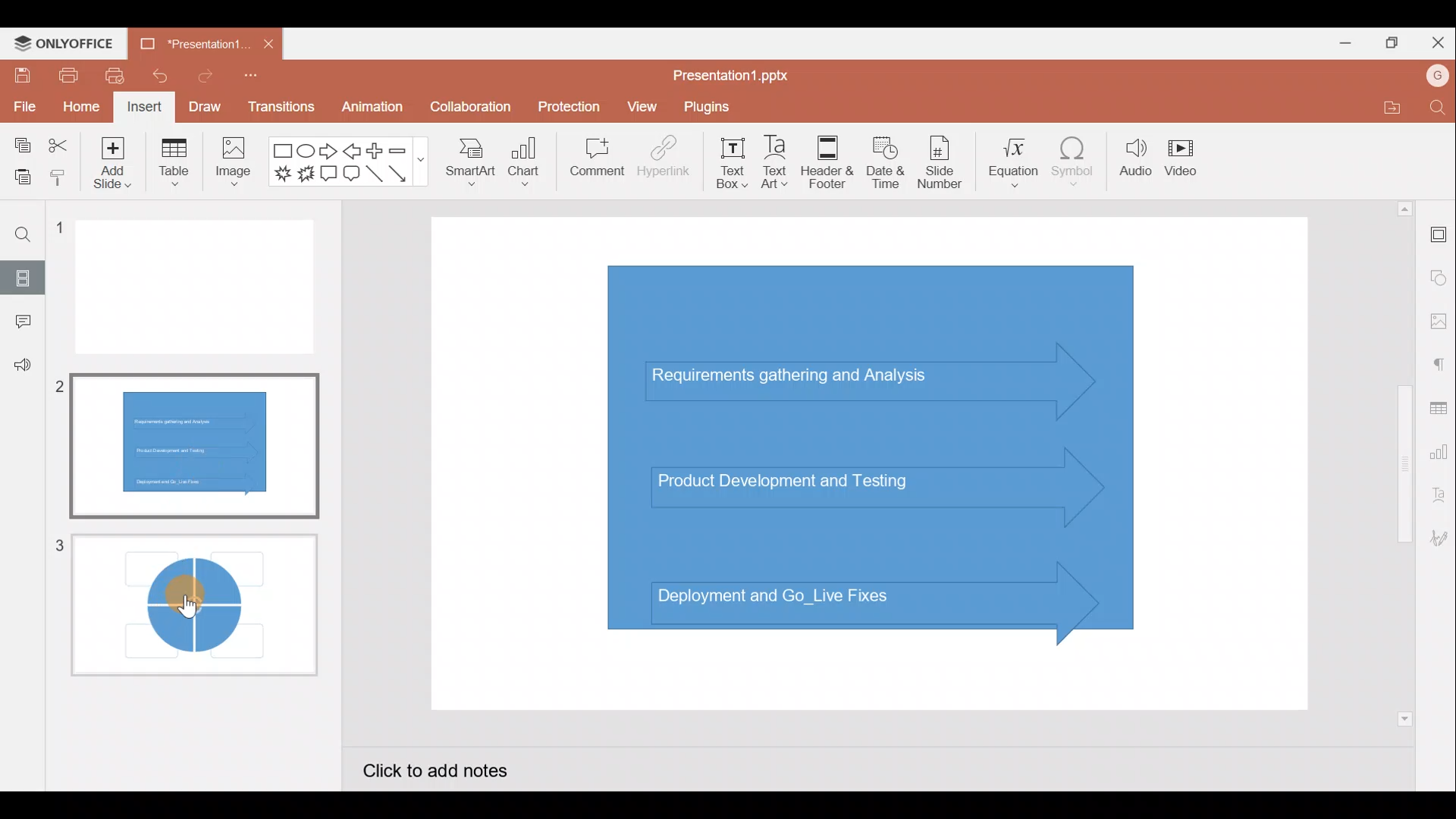  Describe the element at coordinates (249, 79) in the screenshot. I see `Customize quick access toolbar` at that location.